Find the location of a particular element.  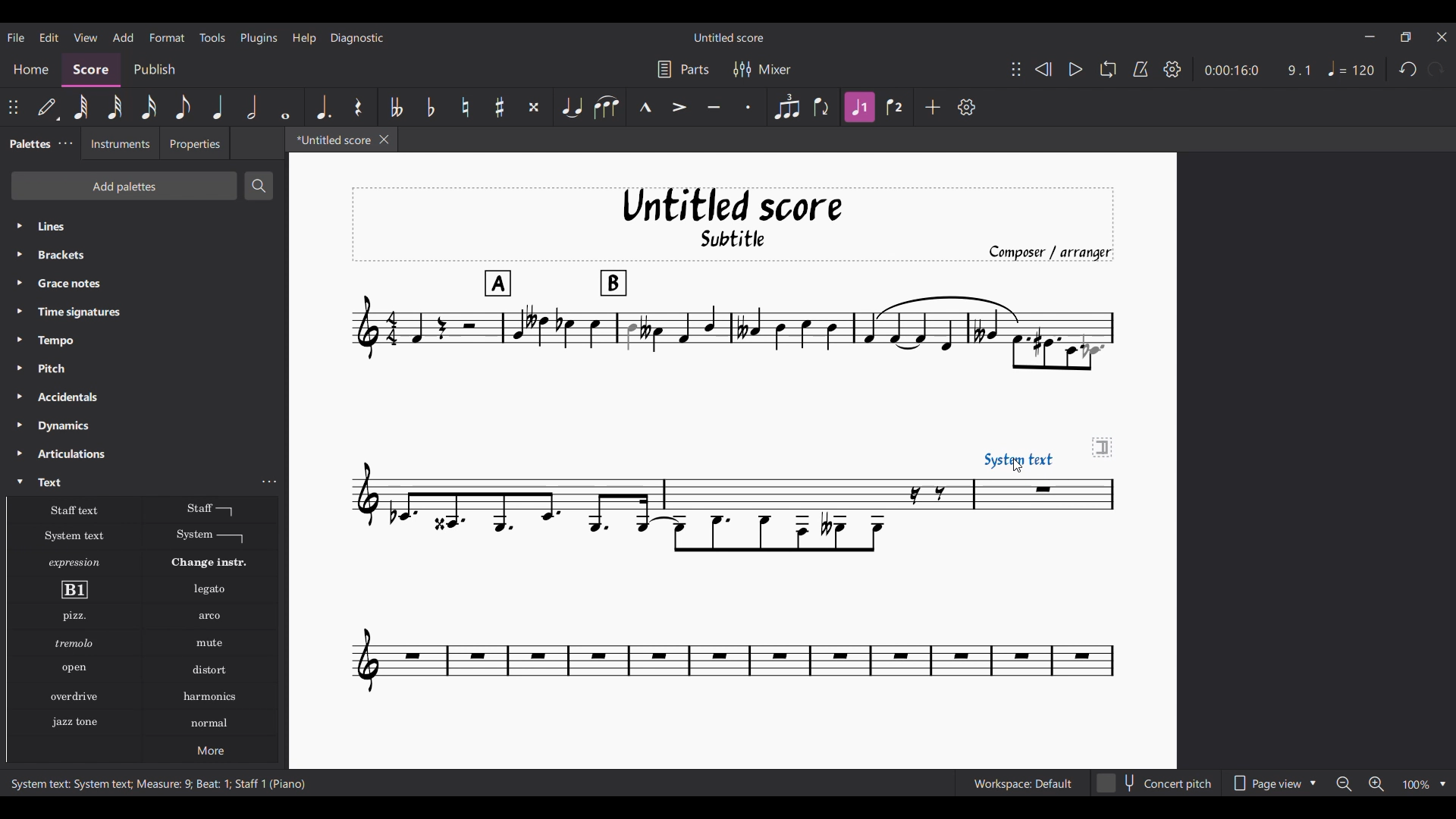

Voice 1 highlighted after current selection is located at coordinates (860, 107).